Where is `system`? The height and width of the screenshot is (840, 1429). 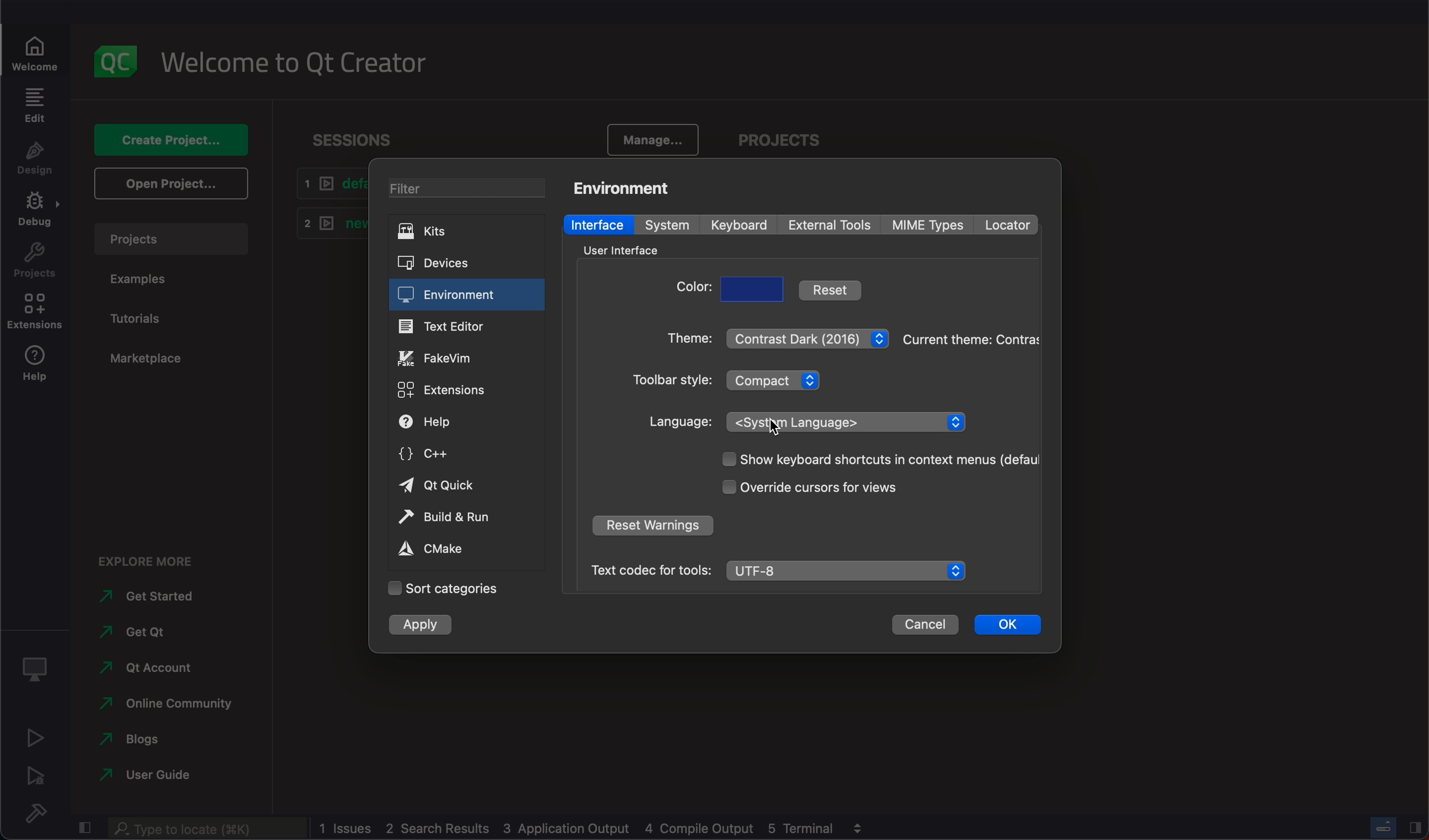 system is located at coordinates (665, 225).